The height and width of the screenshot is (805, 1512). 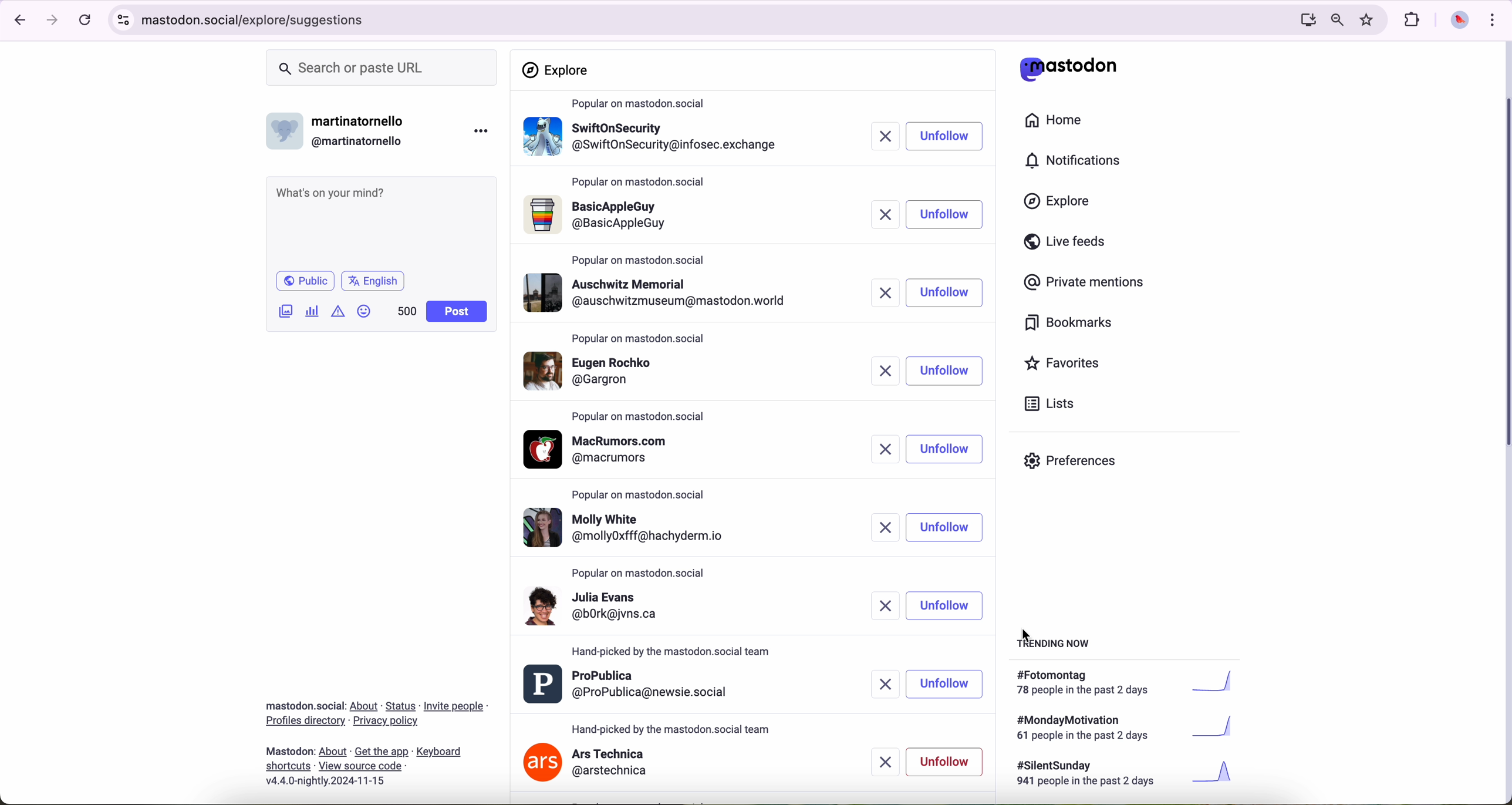 I want to click on search or paste URL, so click(x=382, y=68).